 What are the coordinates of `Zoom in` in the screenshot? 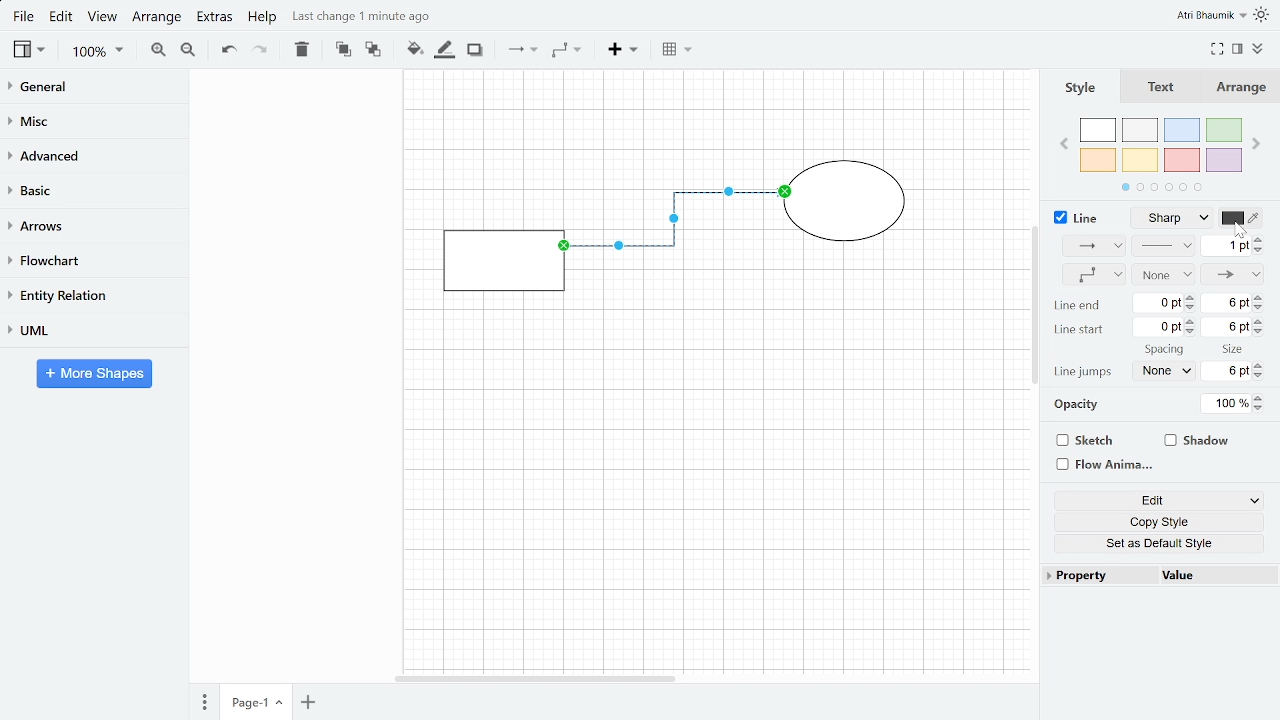 It's located at (158, 50).